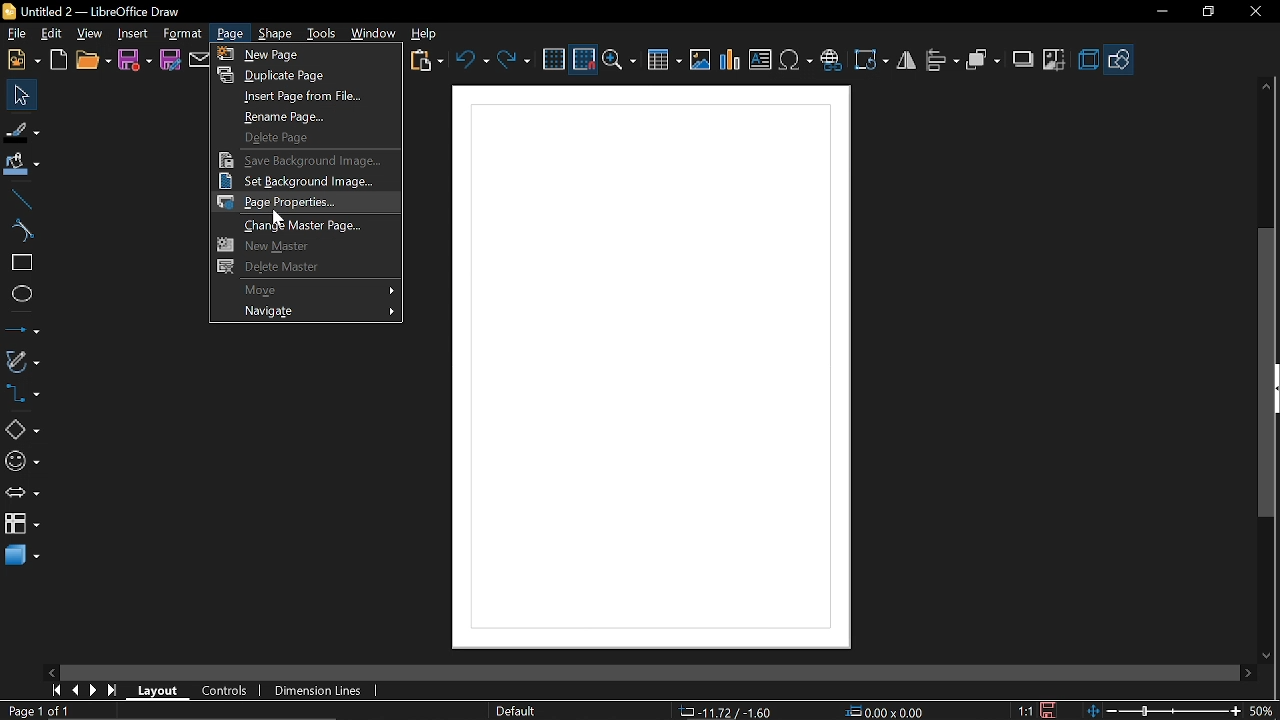 The height and width of the screenshot is (720, 1280). What do you see at coordinates (19, 200) in the screenshot?
I see `Line` at bounding box center [19, 200].